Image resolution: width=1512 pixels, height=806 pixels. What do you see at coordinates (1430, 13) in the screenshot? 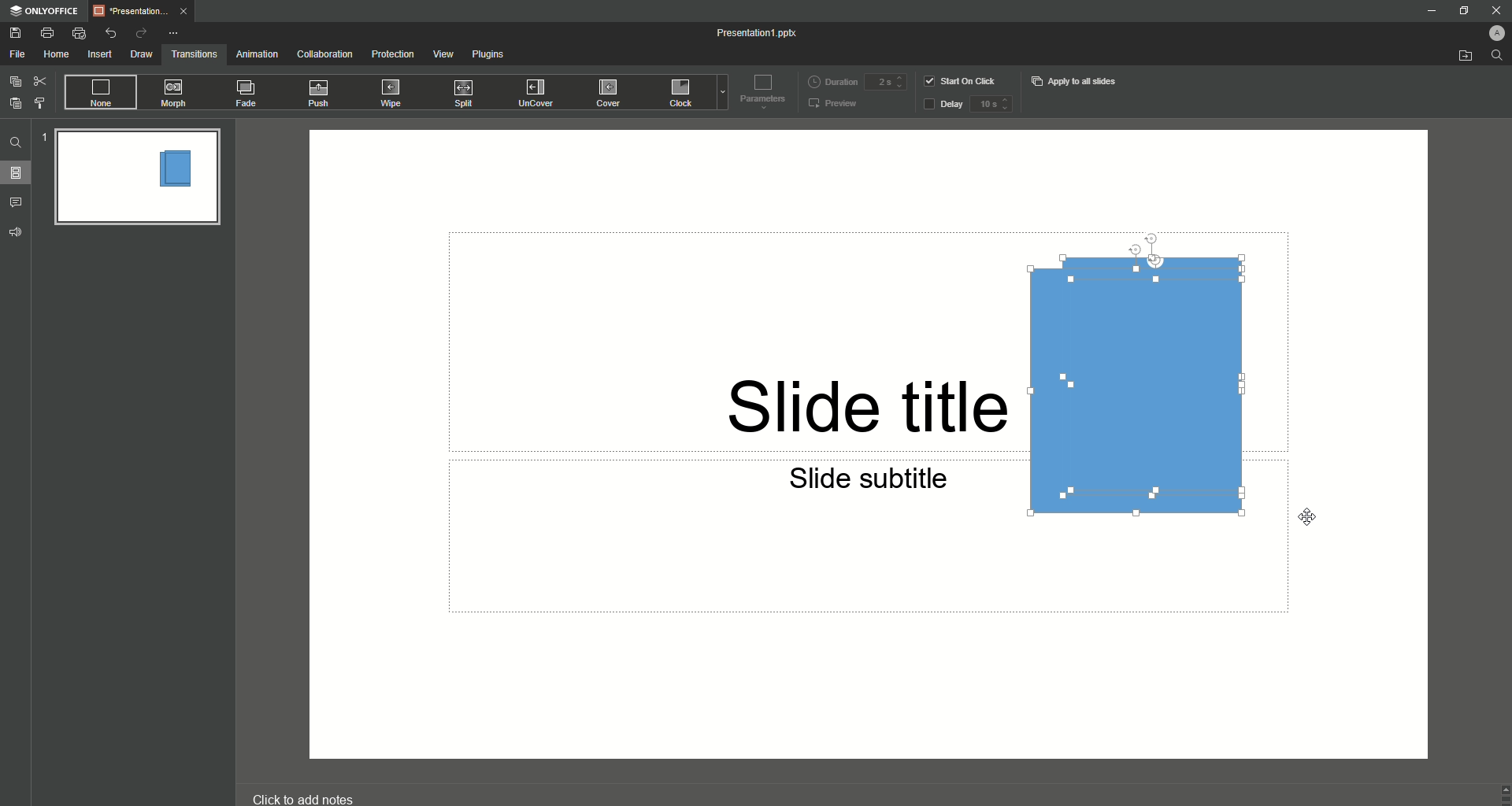
I see `Minimize` at bounding box center [1430, 13].